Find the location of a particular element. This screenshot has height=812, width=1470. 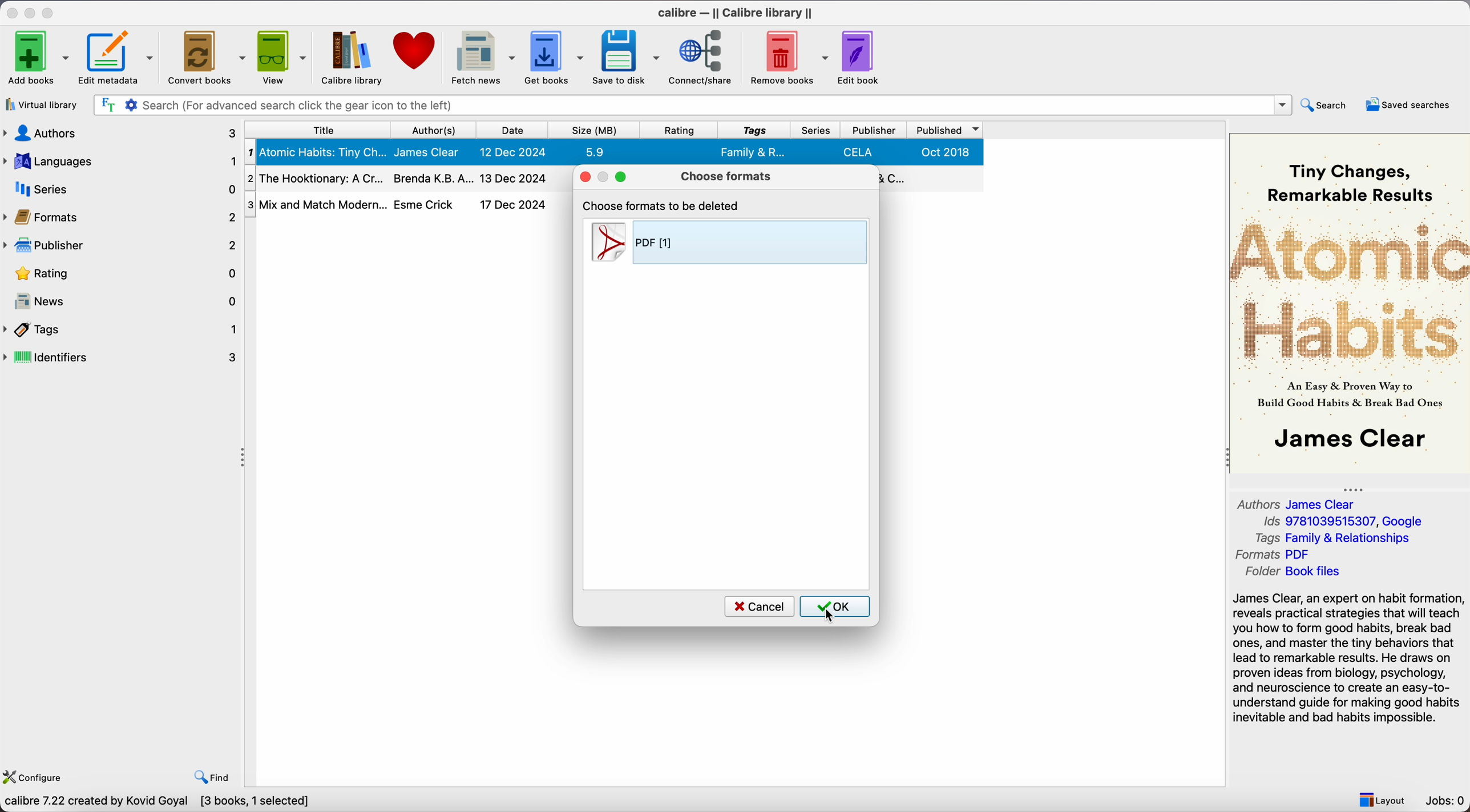

Mix and Match Modern... is located at coordinates (316, 201).